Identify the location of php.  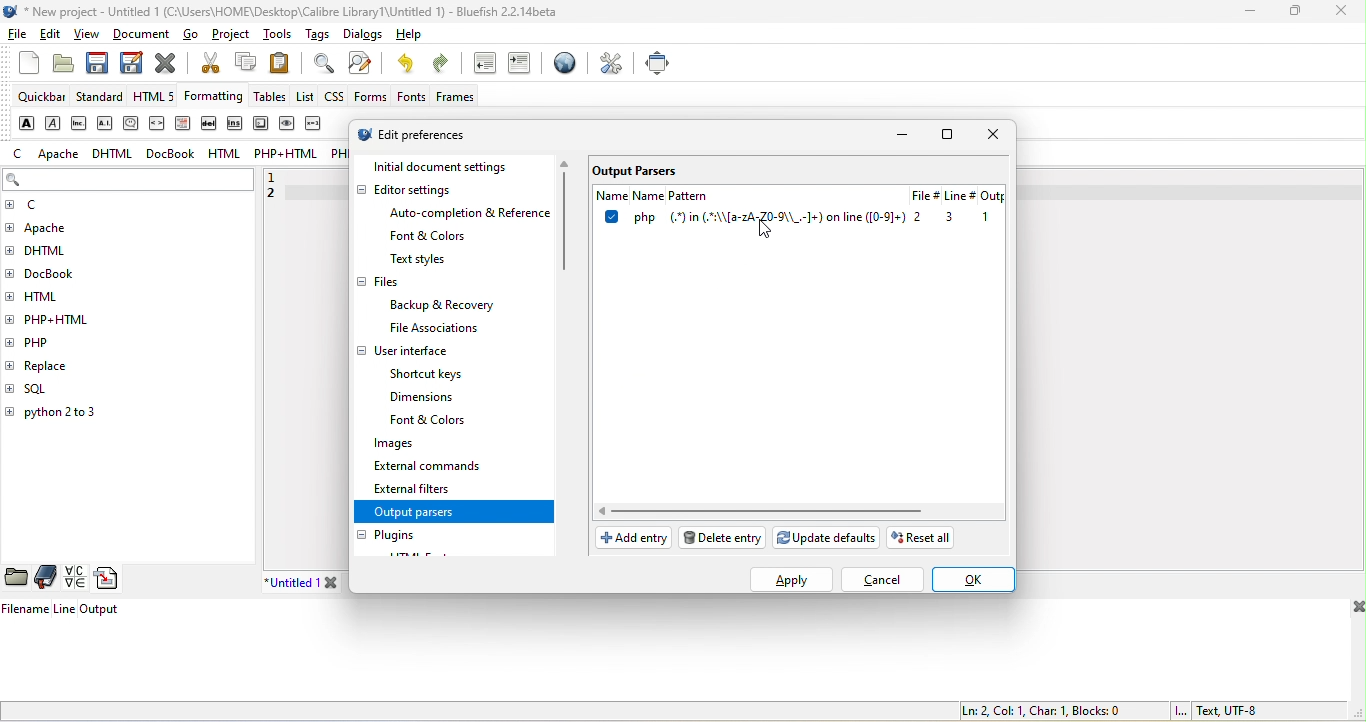
(342, 156).